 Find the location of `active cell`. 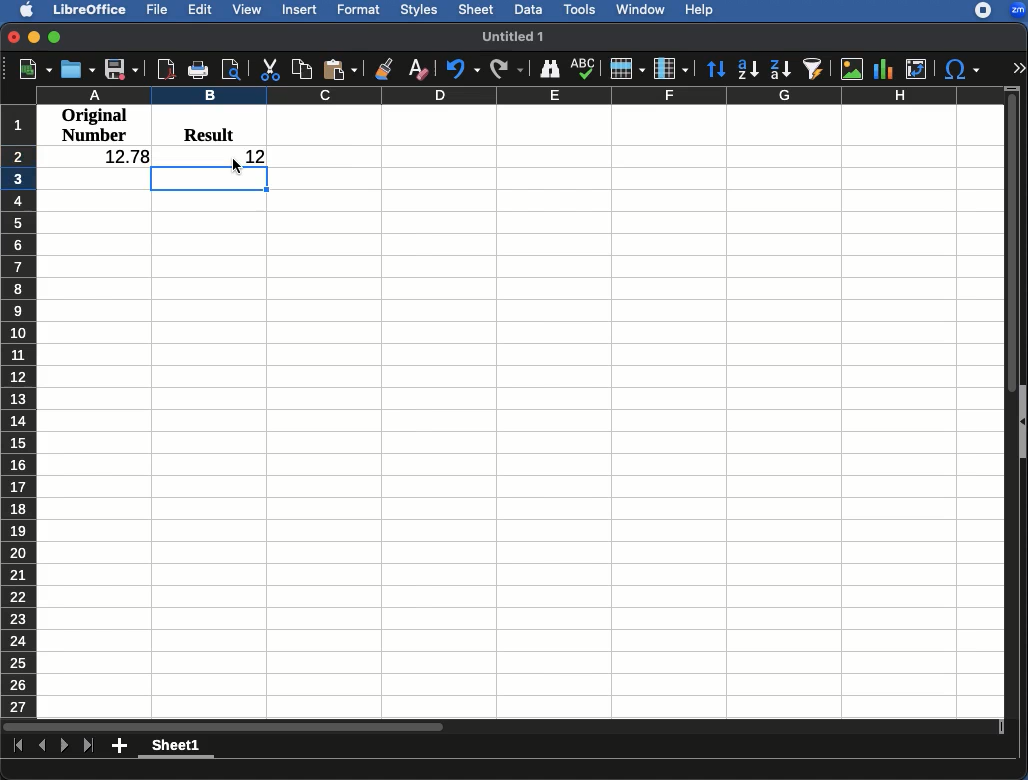

active cell is located at coordinates (209, 181).